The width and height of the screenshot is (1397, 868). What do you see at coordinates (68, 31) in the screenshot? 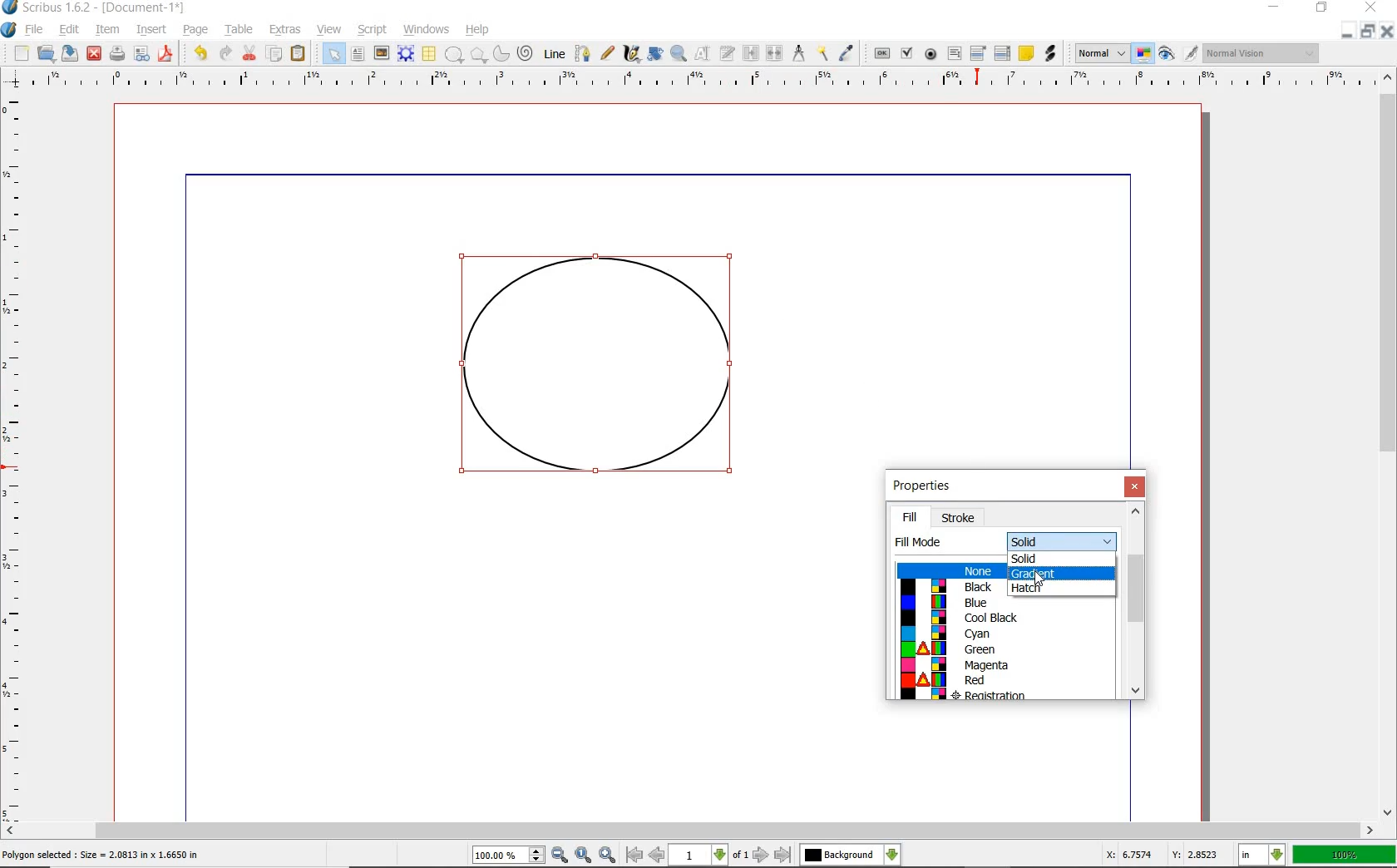
I see `EDIT` at bounding box center [68, 31].